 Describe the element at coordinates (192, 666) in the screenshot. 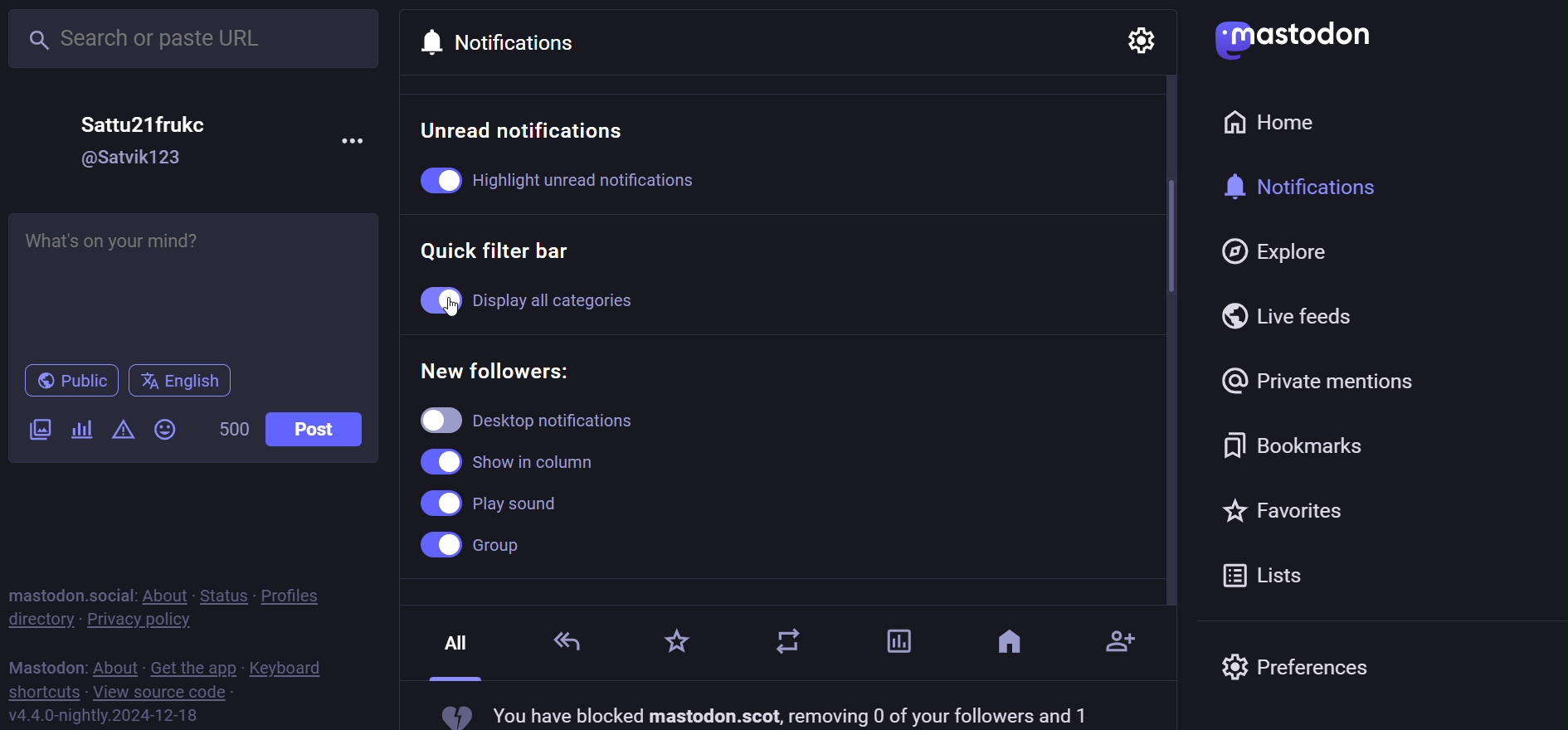

I see `get the app` at that location.